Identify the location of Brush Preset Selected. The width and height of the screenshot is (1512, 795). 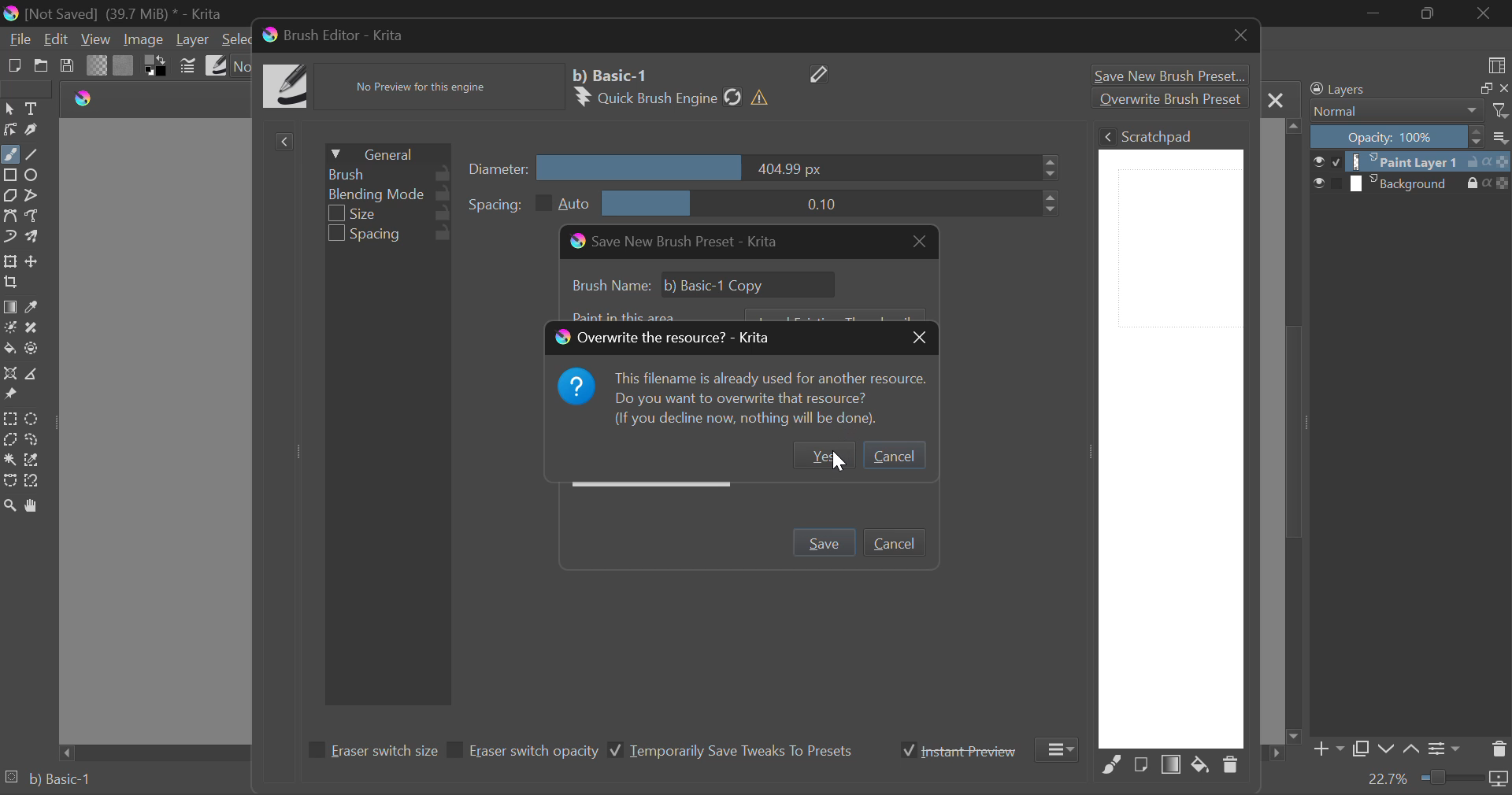
(47, 782).